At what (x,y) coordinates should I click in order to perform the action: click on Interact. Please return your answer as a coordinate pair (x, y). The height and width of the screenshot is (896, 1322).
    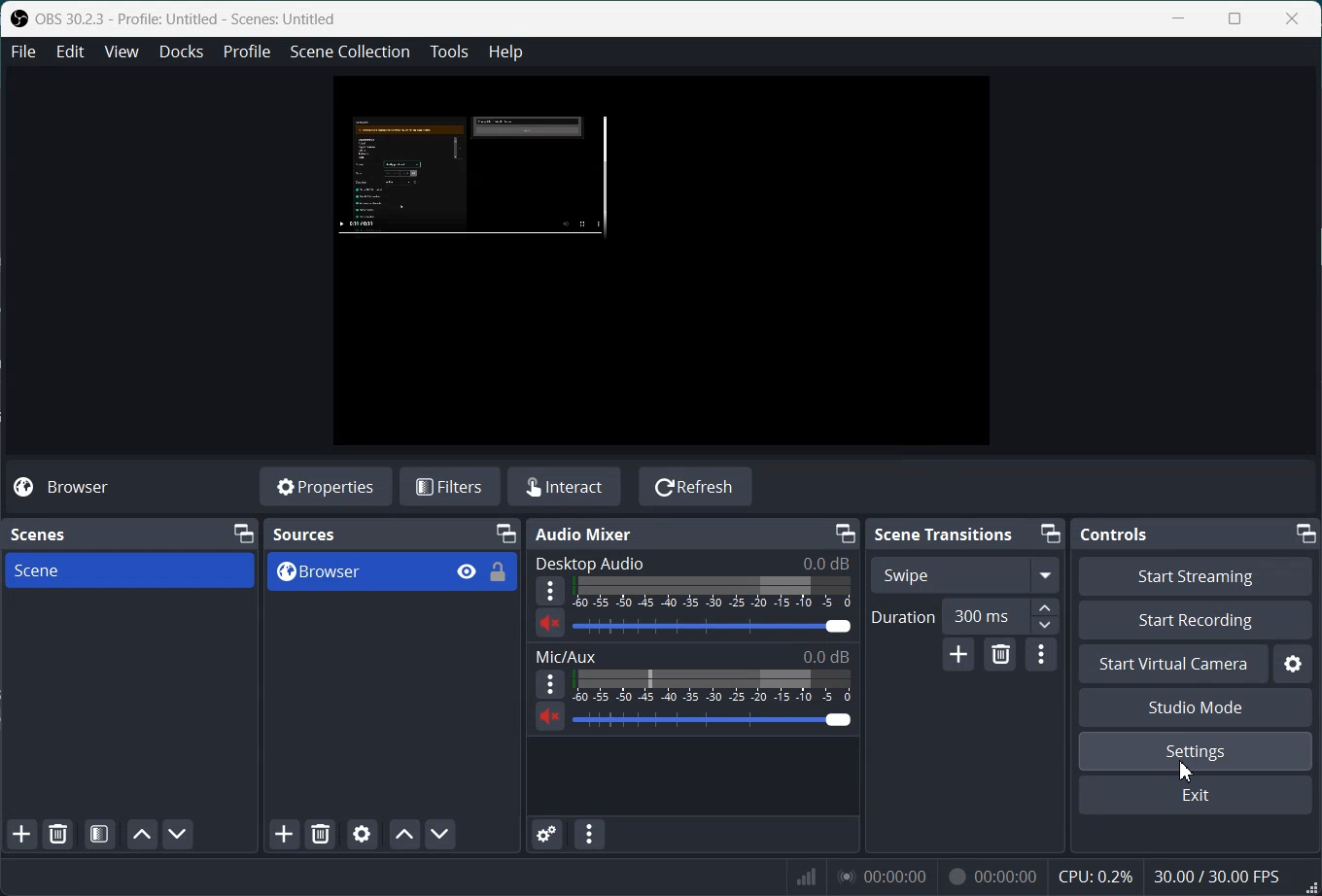
    Looking at the image, I should click on (570, 485).